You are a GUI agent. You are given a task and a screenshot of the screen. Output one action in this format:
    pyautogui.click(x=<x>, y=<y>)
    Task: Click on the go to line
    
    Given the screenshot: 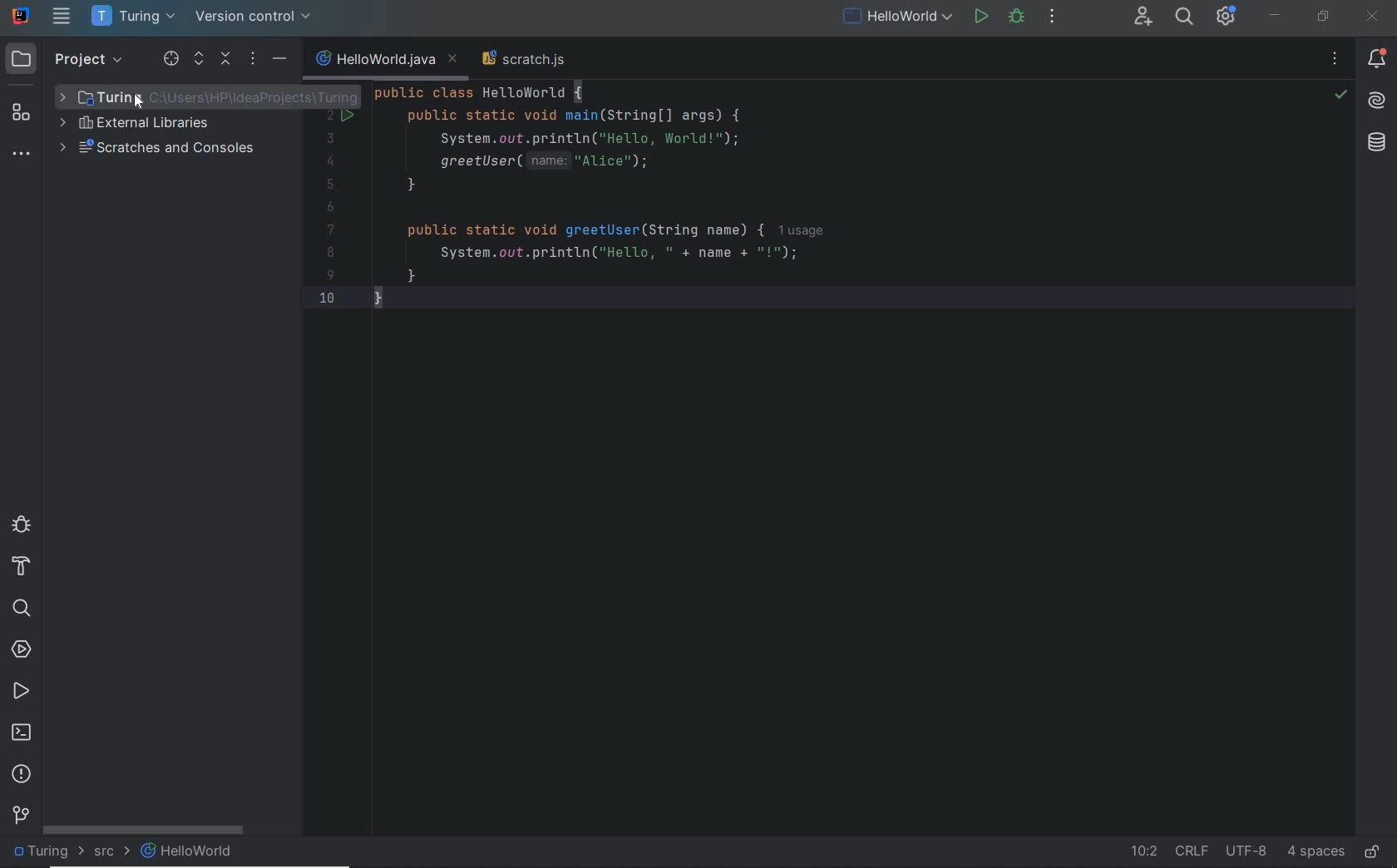 What is the action you would take?
    pyautogui.click(x=1141, y=851)
    